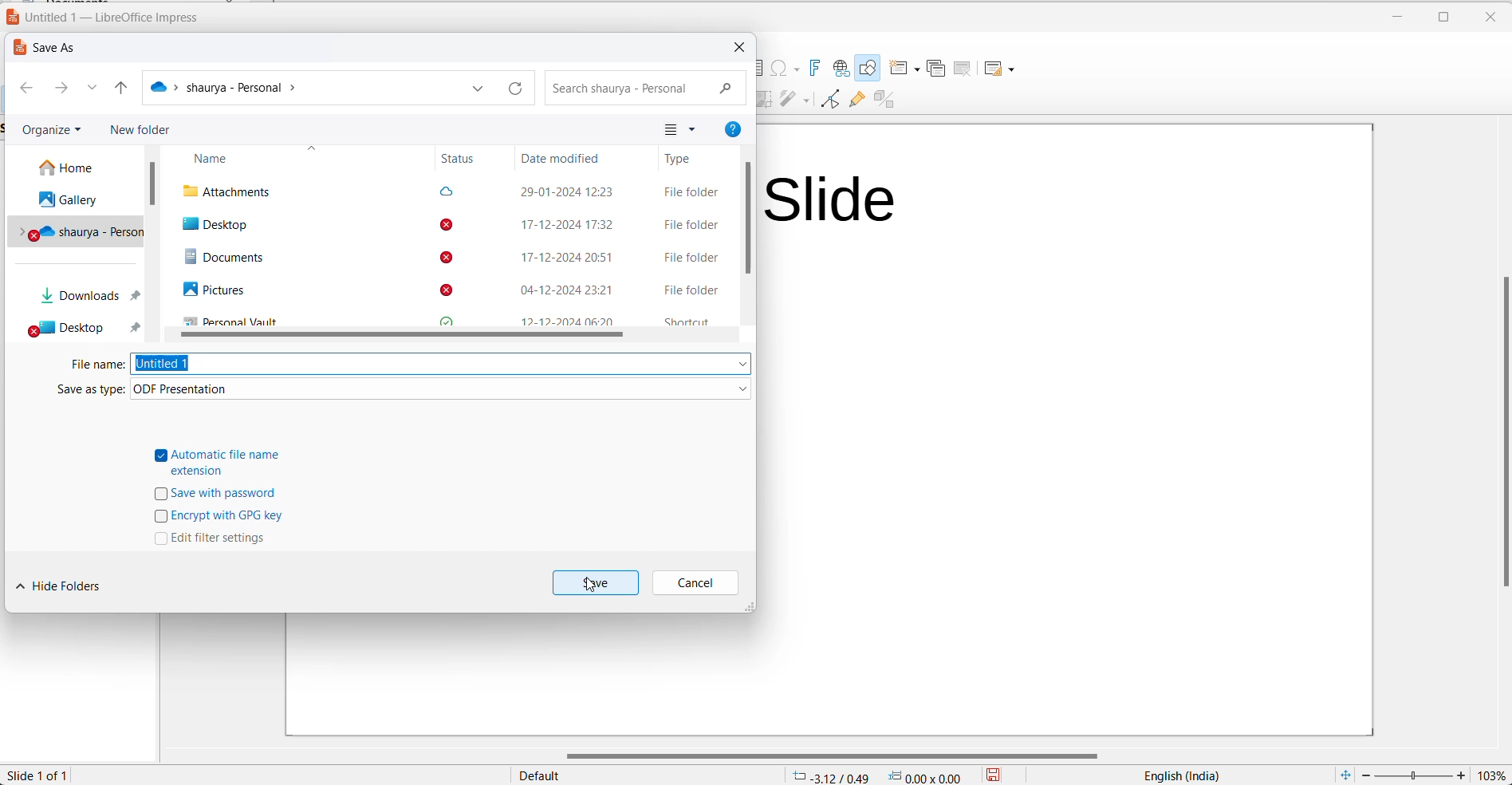 Image resolution: width=1512 pixels, height=785 pixels. What do you see at coordinates (463, 160) in the screenshot?
I see `STATUS` at bounding box center [463, 160].